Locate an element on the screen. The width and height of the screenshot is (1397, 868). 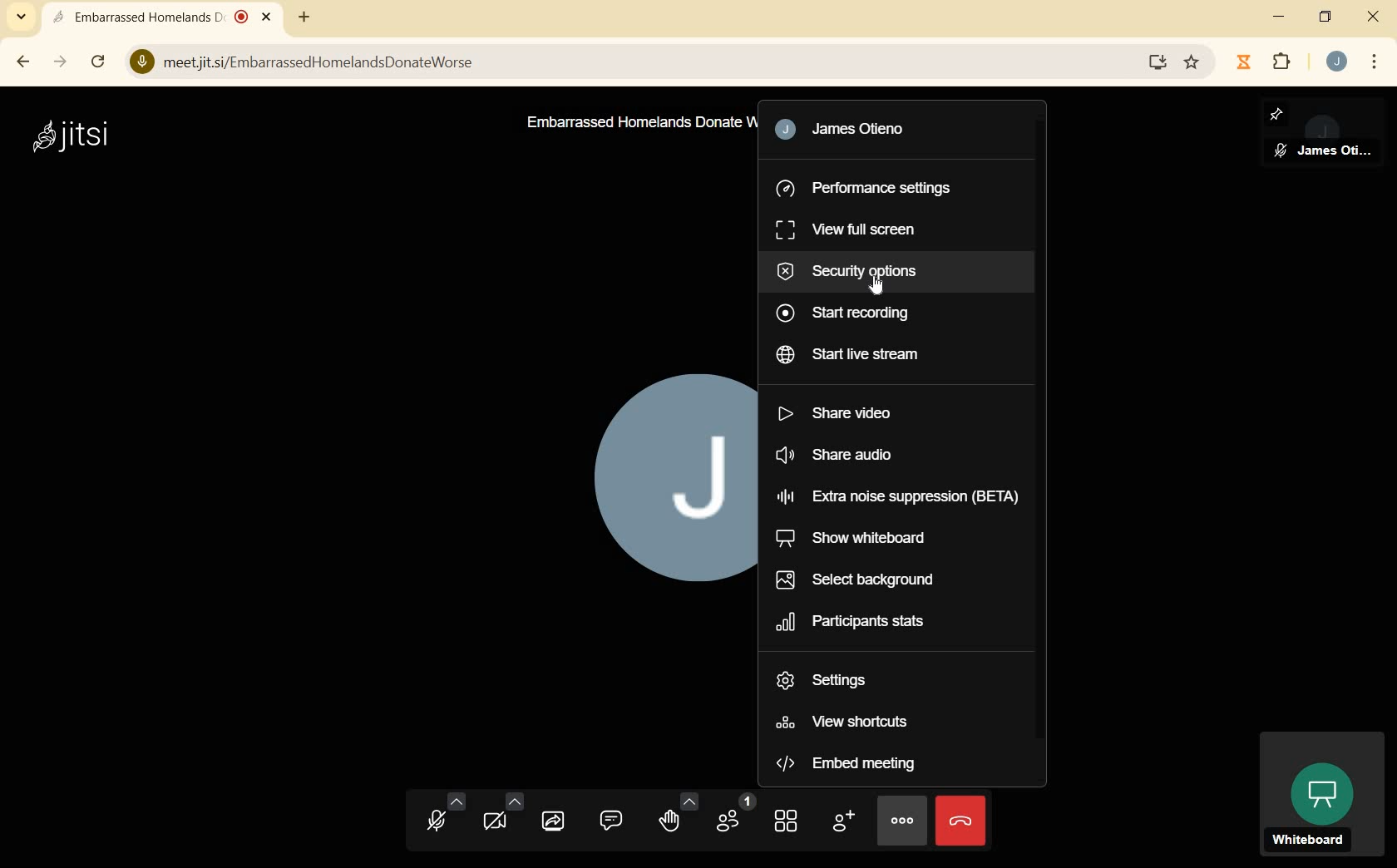
restore down is located at coordinates (1325, 18).